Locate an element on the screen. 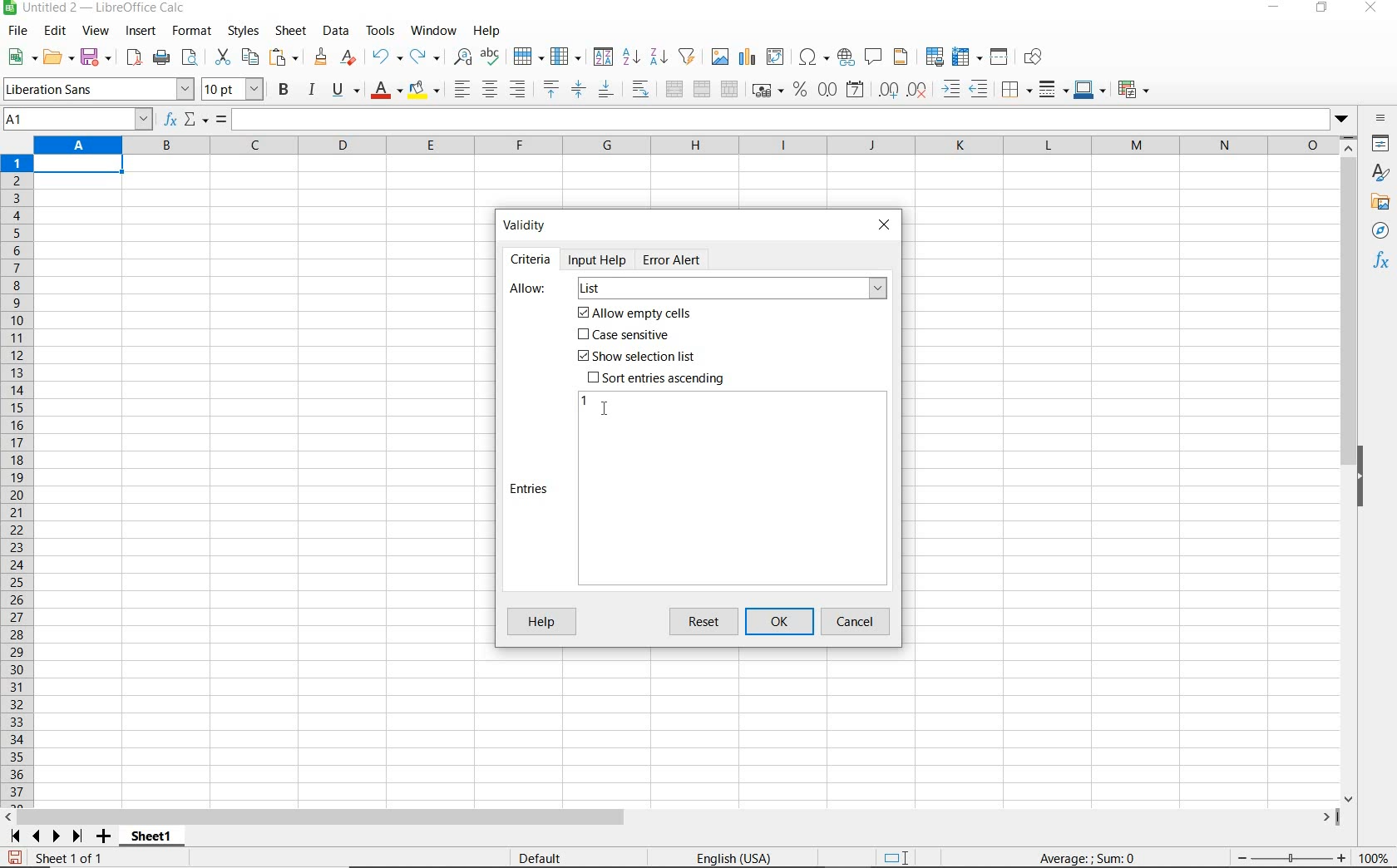  edit is located at coordinates (56, 33).